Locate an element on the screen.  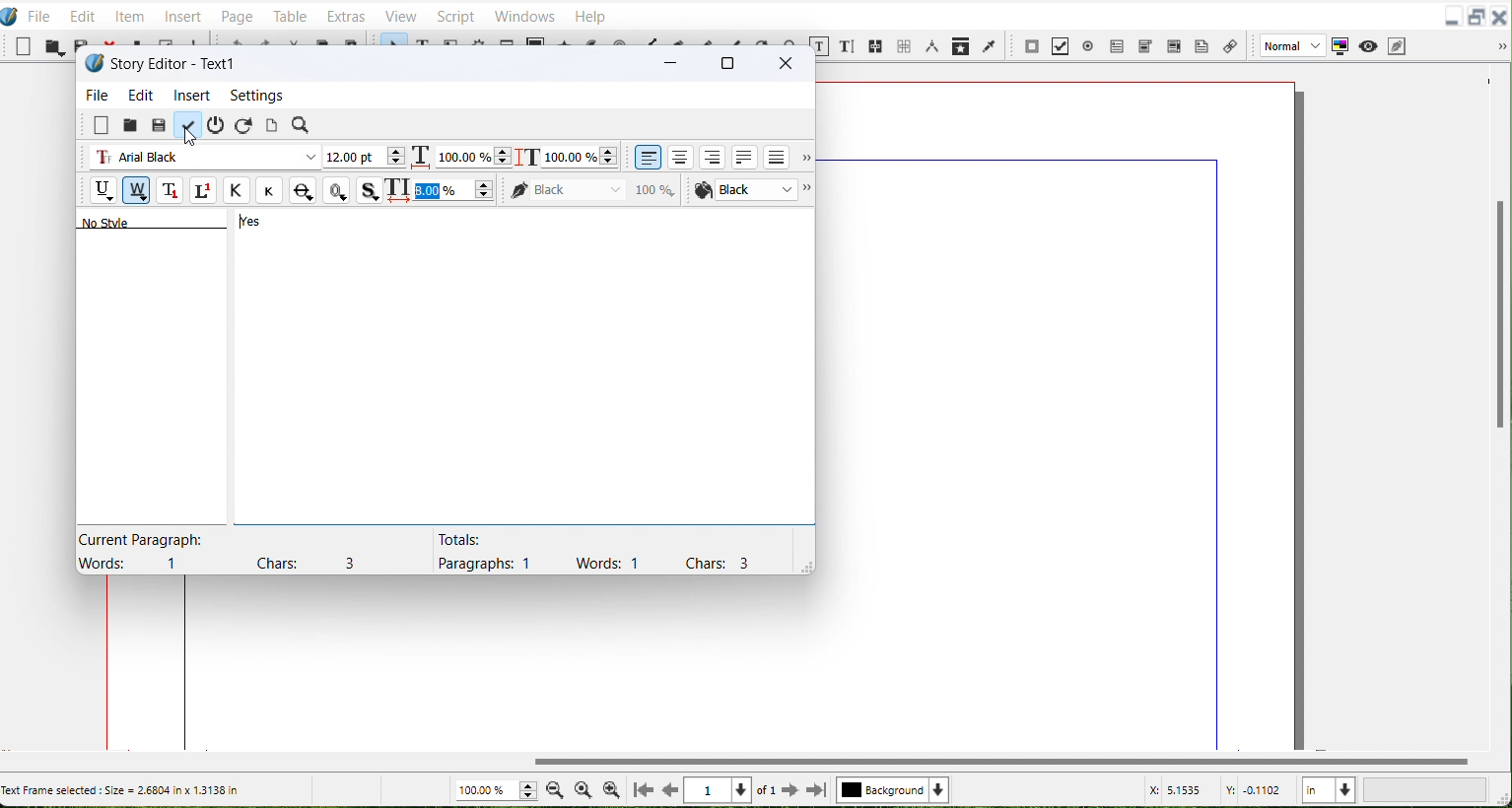
PDF Radio button is located at coordinates (1091, 43).